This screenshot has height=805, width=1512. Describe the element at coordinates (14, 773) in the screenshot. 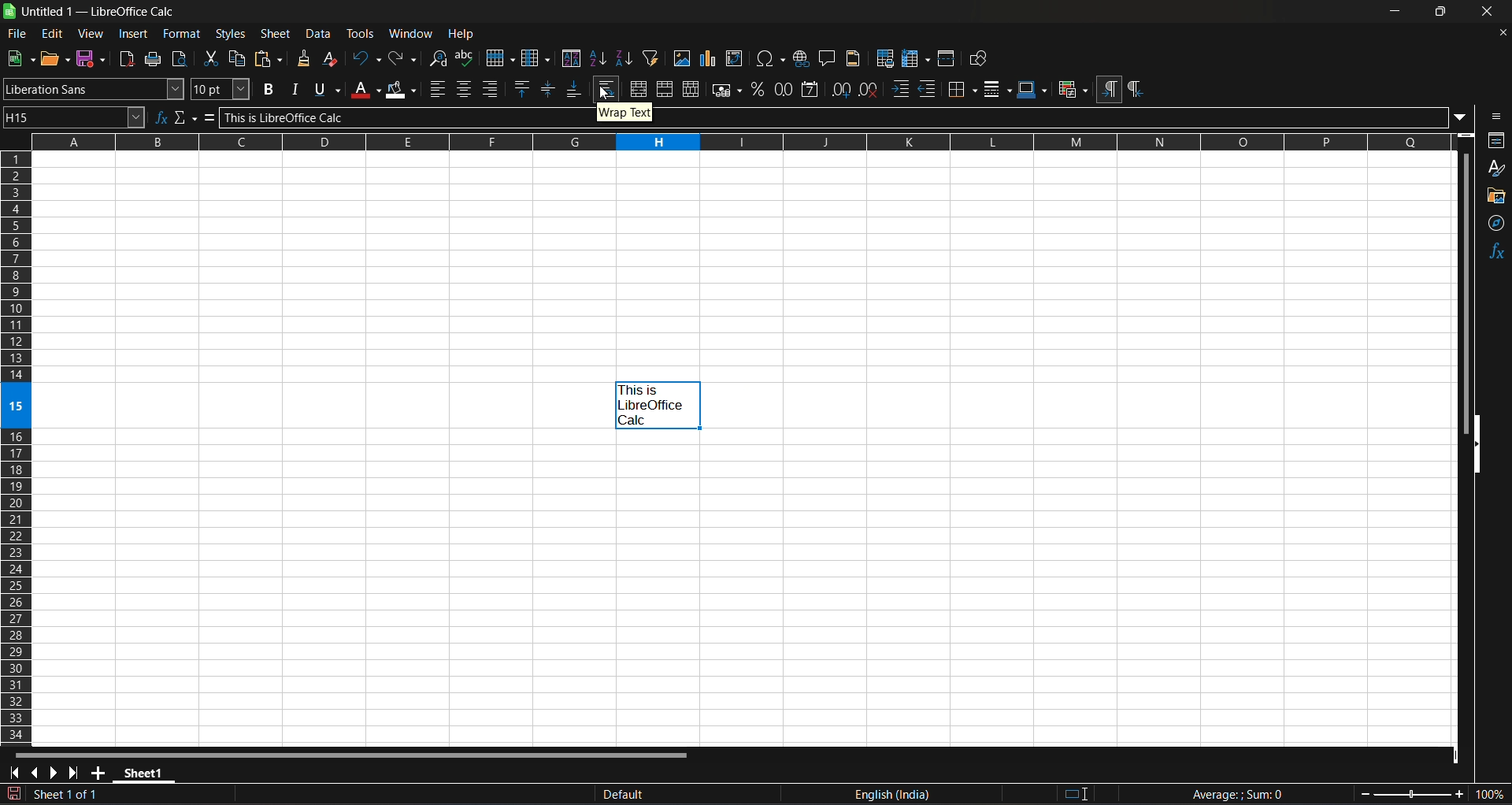

I see `scroll to first sheet` at that location.